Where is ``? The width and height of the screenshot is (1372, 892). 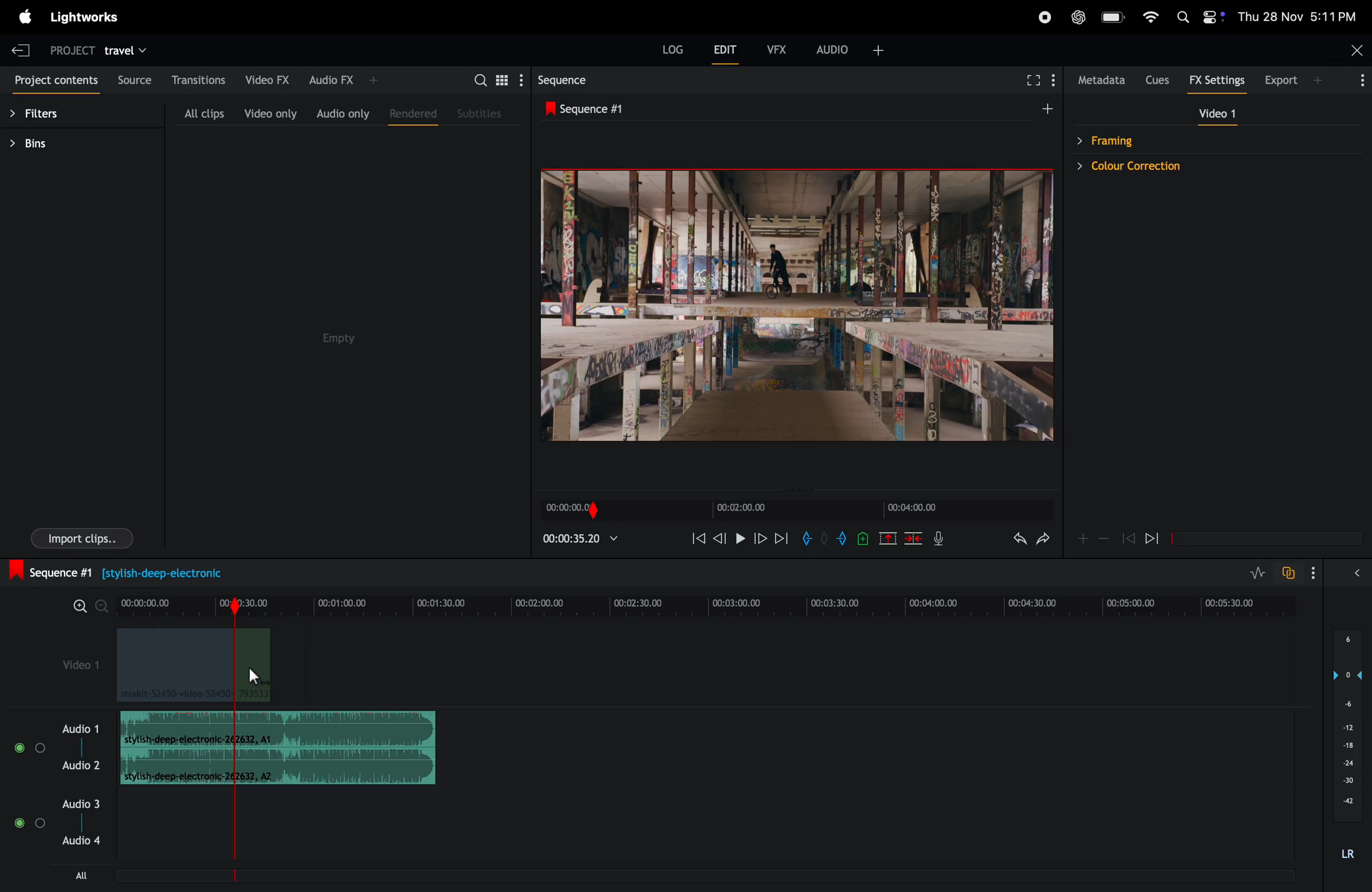  is located at coordinates (18, 746).